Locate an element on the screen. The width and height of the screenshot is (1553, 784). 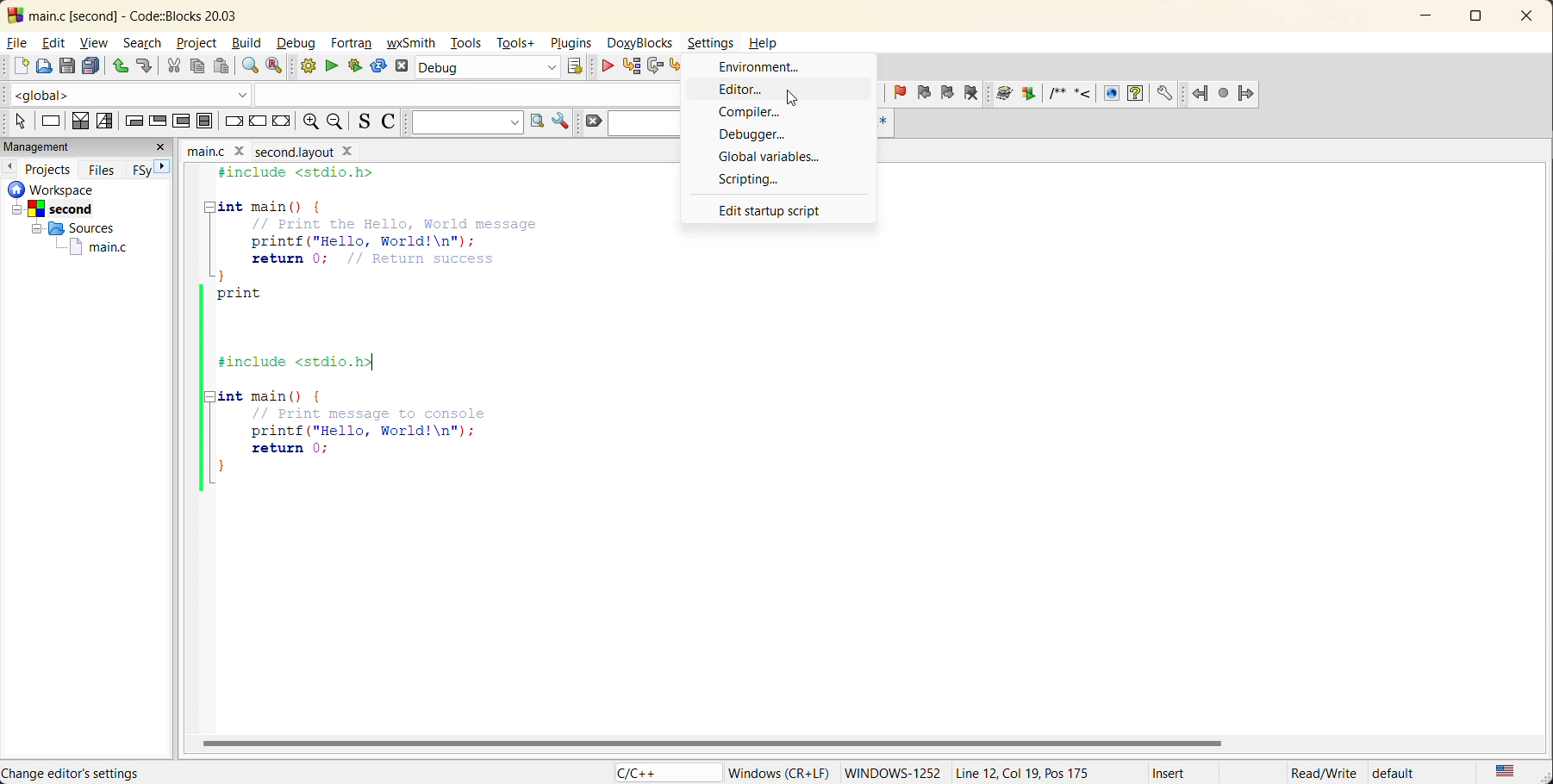
toggle bookmark is located at coordinates (899, 90).